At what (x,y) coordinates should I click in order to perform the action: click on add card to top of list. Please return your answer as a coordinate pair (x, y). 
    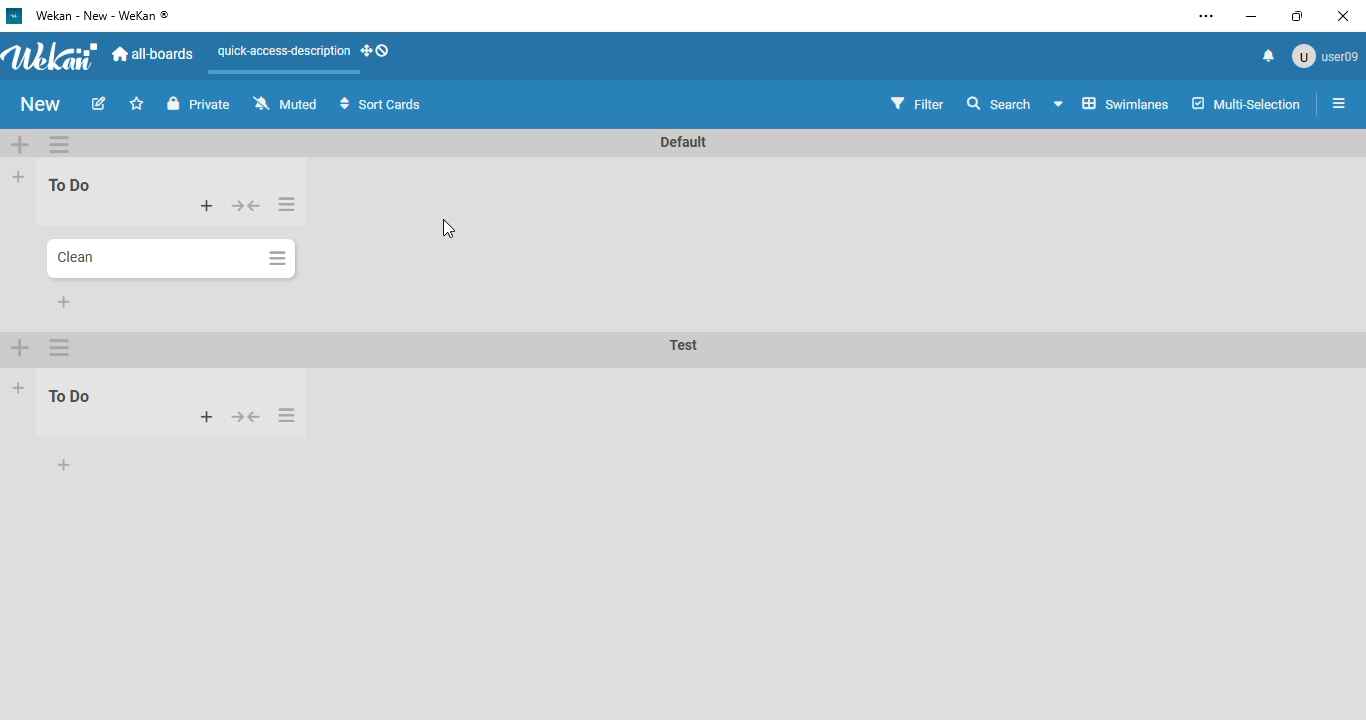
    Looking at the image, I should click on (207, 206).